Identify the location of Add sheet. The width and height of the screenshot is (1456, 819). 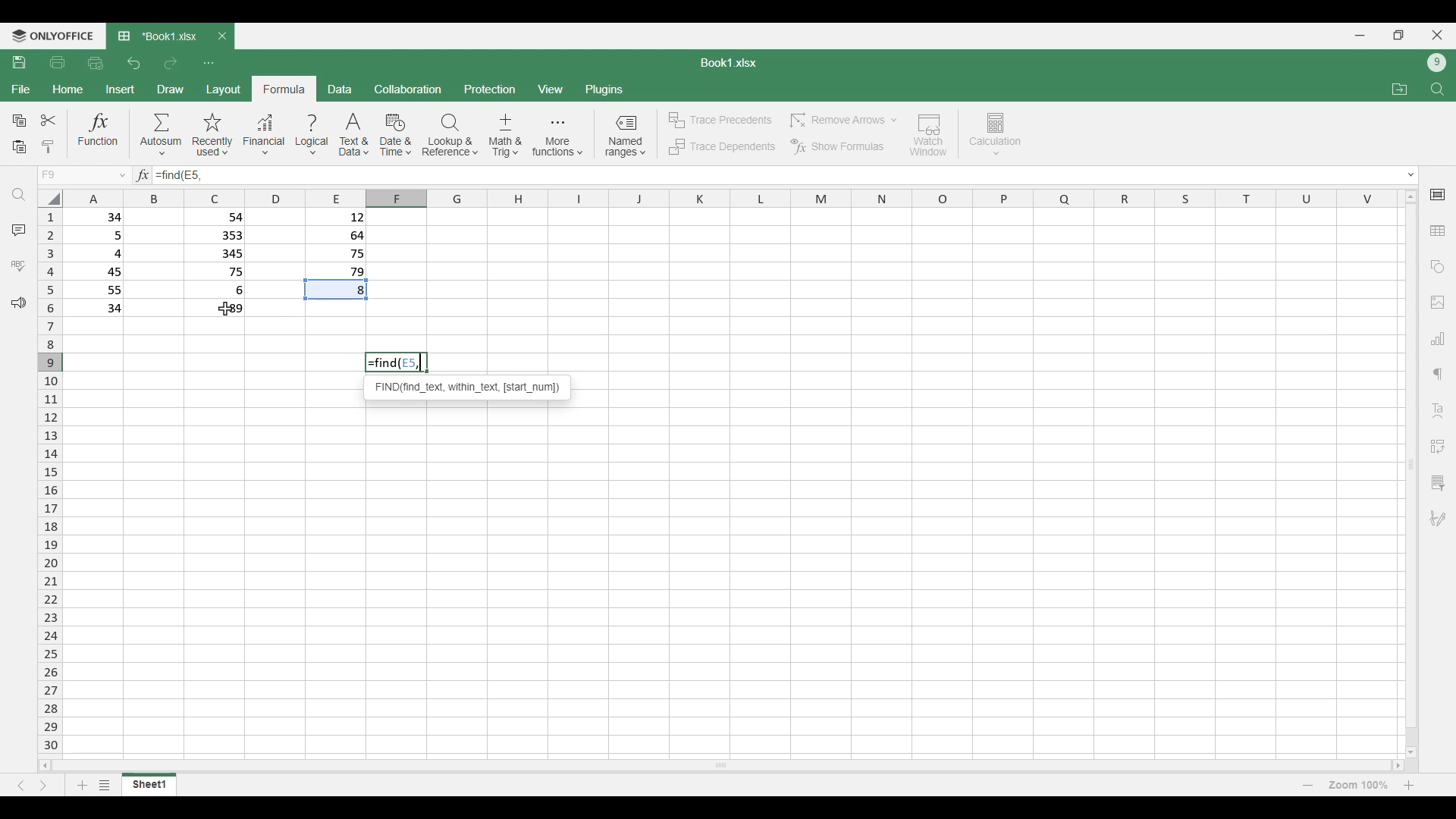
(83, 785).